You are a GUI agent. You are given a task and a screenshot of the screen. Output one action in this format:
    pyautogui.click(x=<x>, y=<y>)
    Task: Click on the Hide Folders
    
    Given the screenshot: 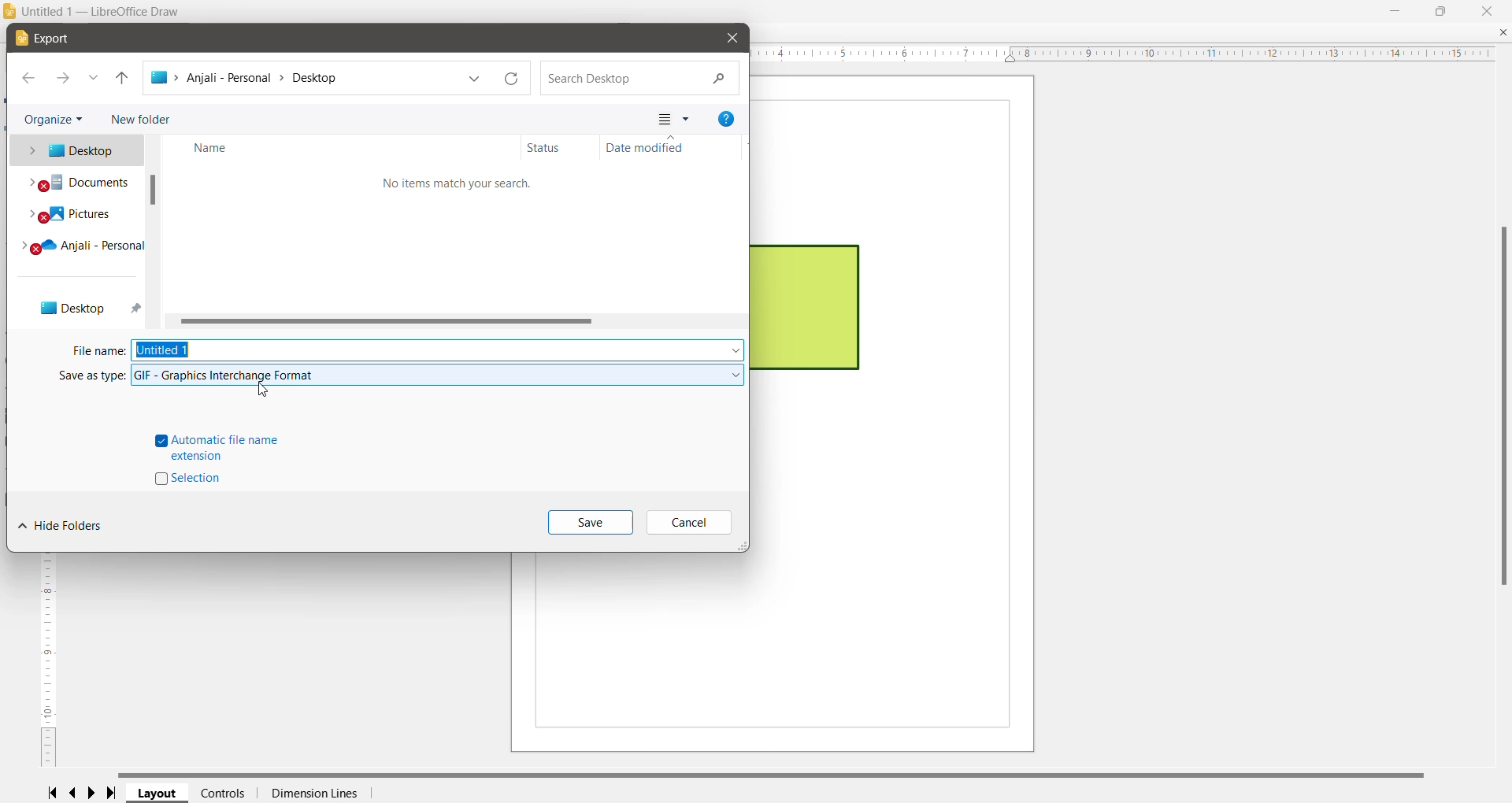 What is the action you would take?
    pyautogui.click(x=60, y=526)
    